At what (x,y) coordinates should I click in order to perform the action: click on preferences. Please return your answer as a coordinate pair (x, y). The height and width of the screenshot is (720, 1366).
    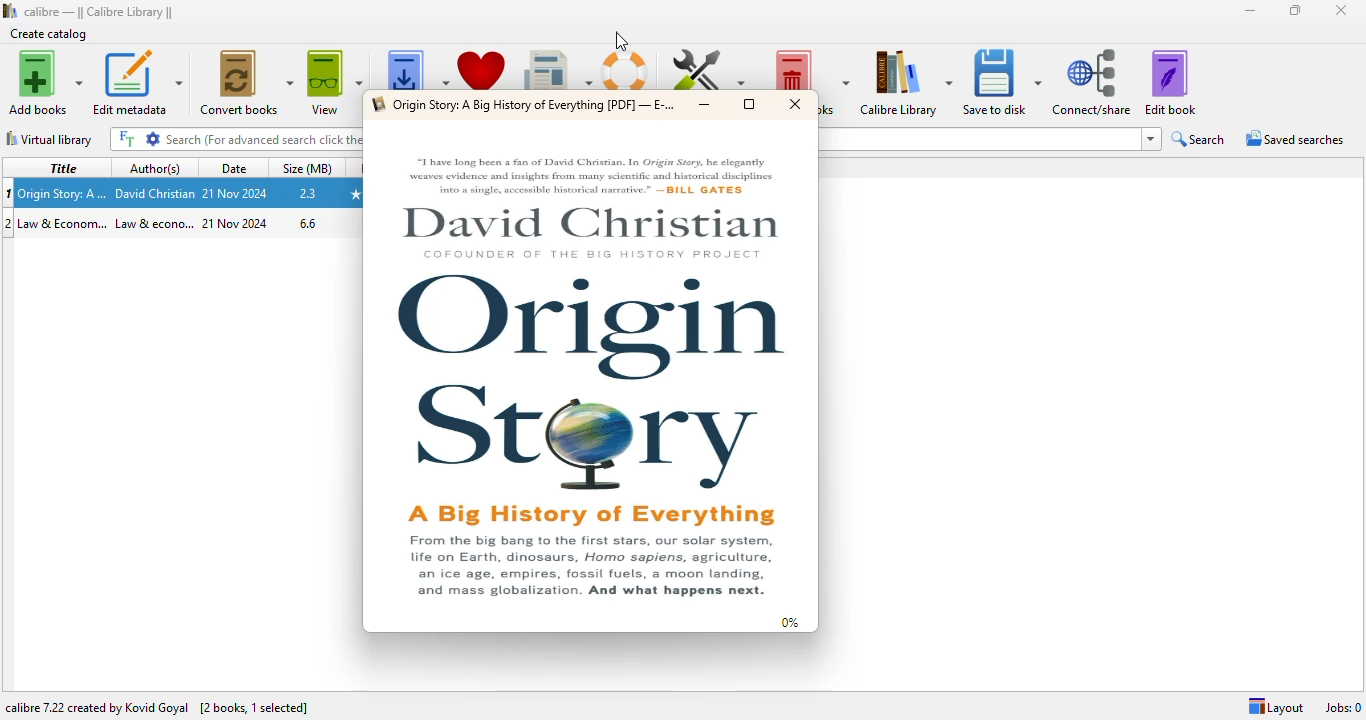
    Looking at the image, I should click on (704, 68).